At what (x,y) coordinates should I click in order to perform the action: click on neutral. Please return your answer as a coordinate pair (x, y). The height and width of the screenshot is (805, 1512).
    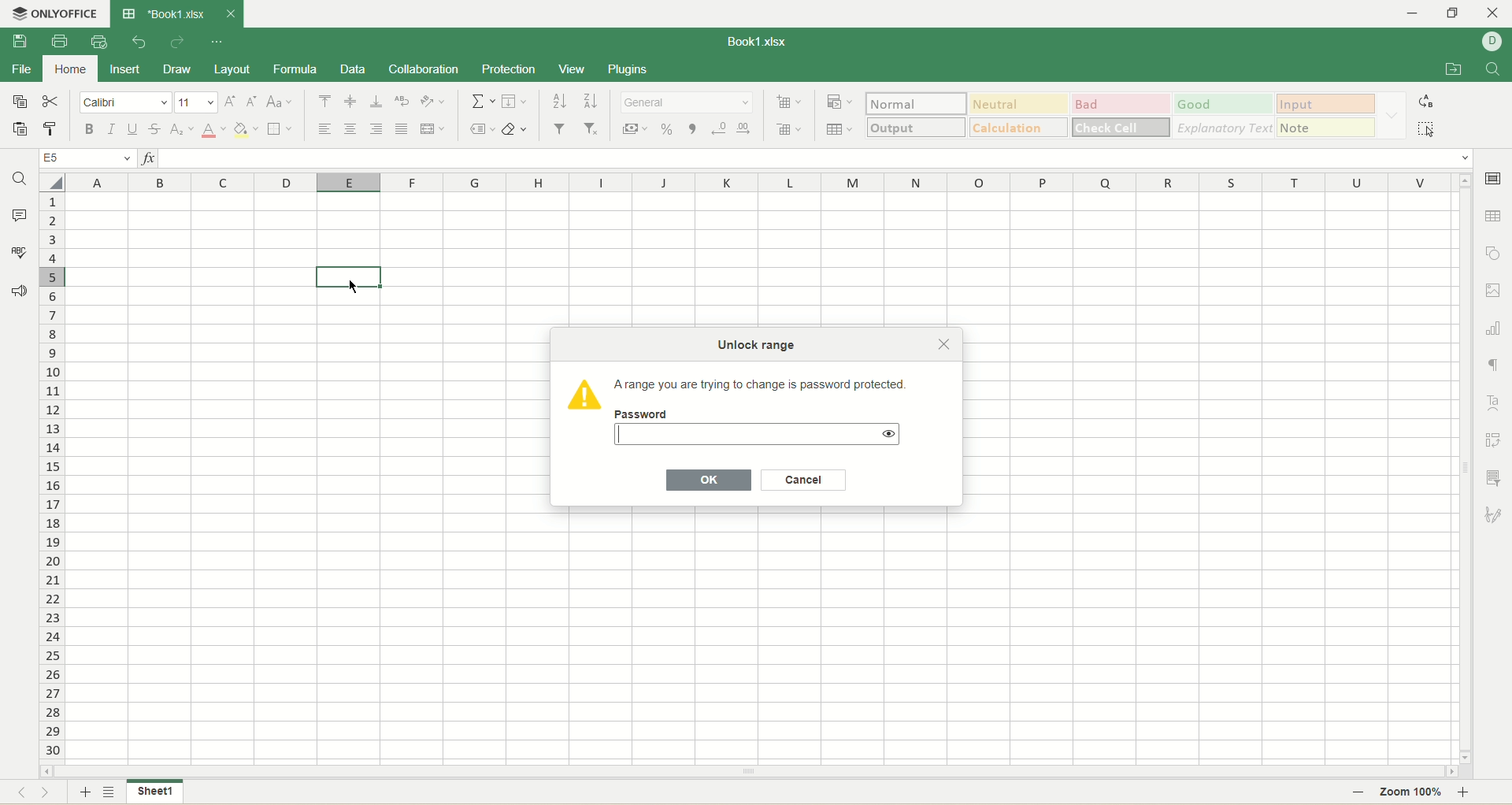
    Looking at the image, I should click on (1020, 105).